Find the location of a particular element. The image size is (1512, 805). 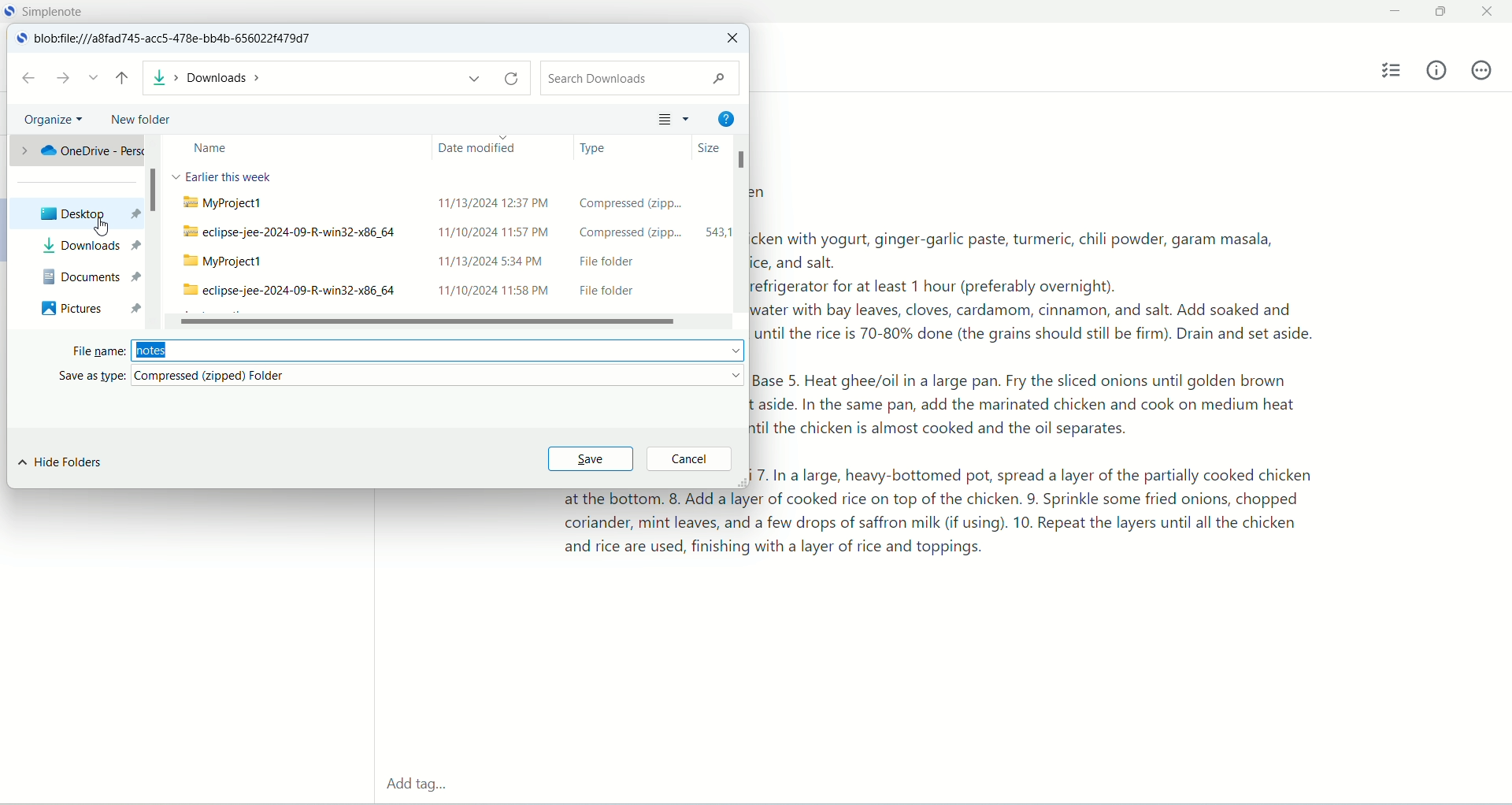

back is located at coordinates (28, 78).